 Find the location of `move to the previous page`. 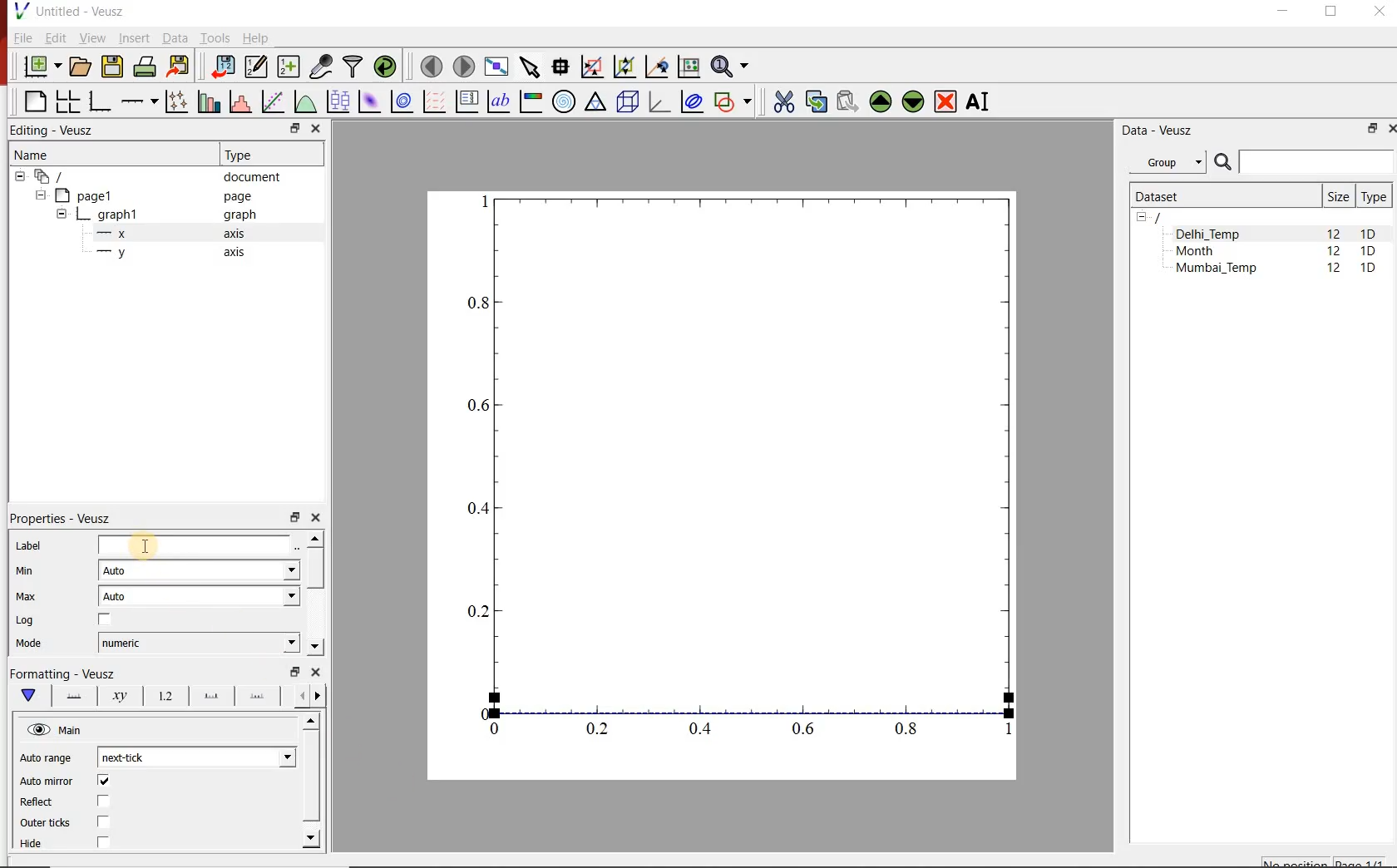

move to the previous page is located at coordinates (431, 66).